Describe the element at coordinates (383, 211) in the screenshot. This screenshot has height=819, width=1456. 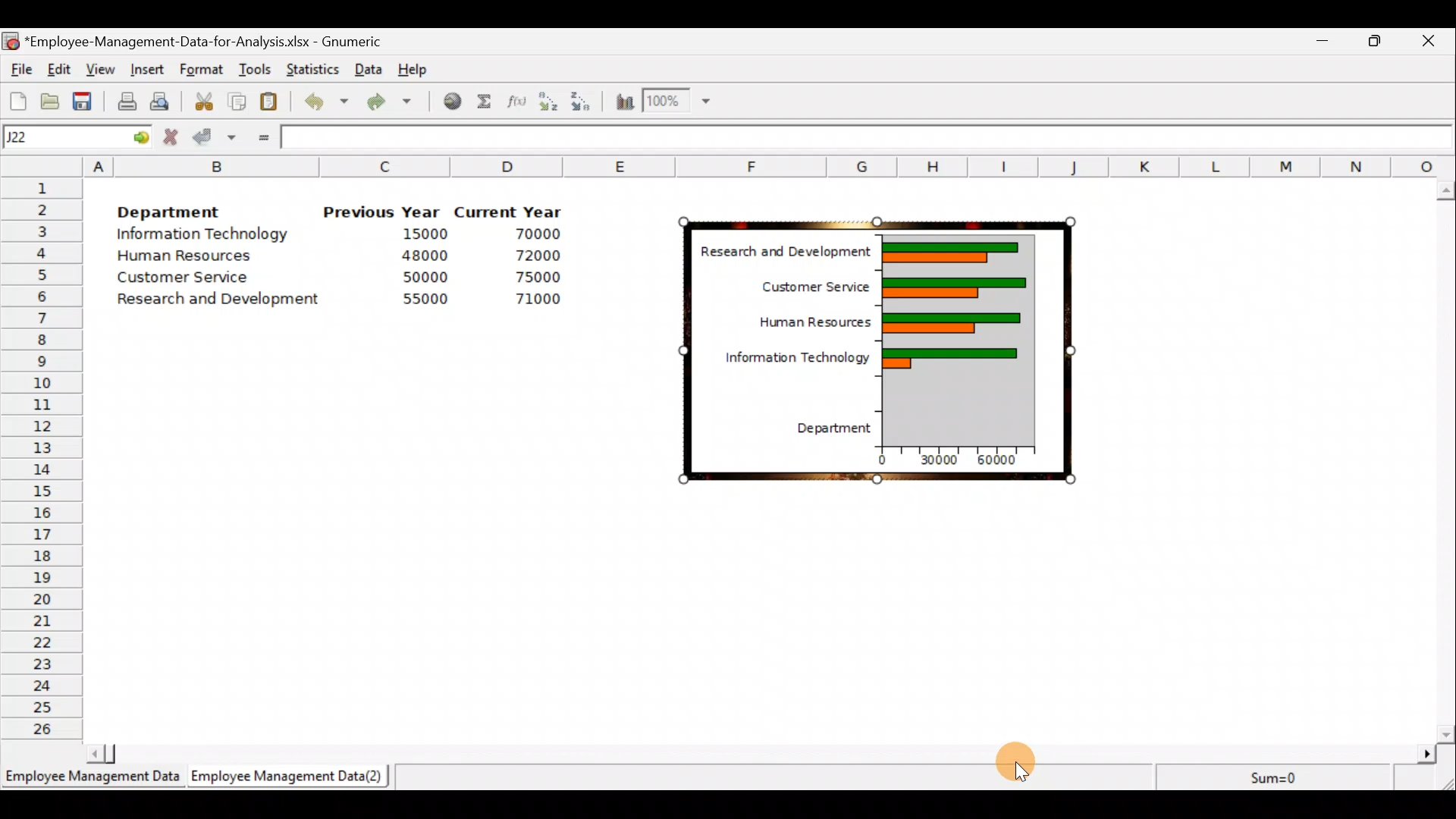
I see `Previous Year` at that location.